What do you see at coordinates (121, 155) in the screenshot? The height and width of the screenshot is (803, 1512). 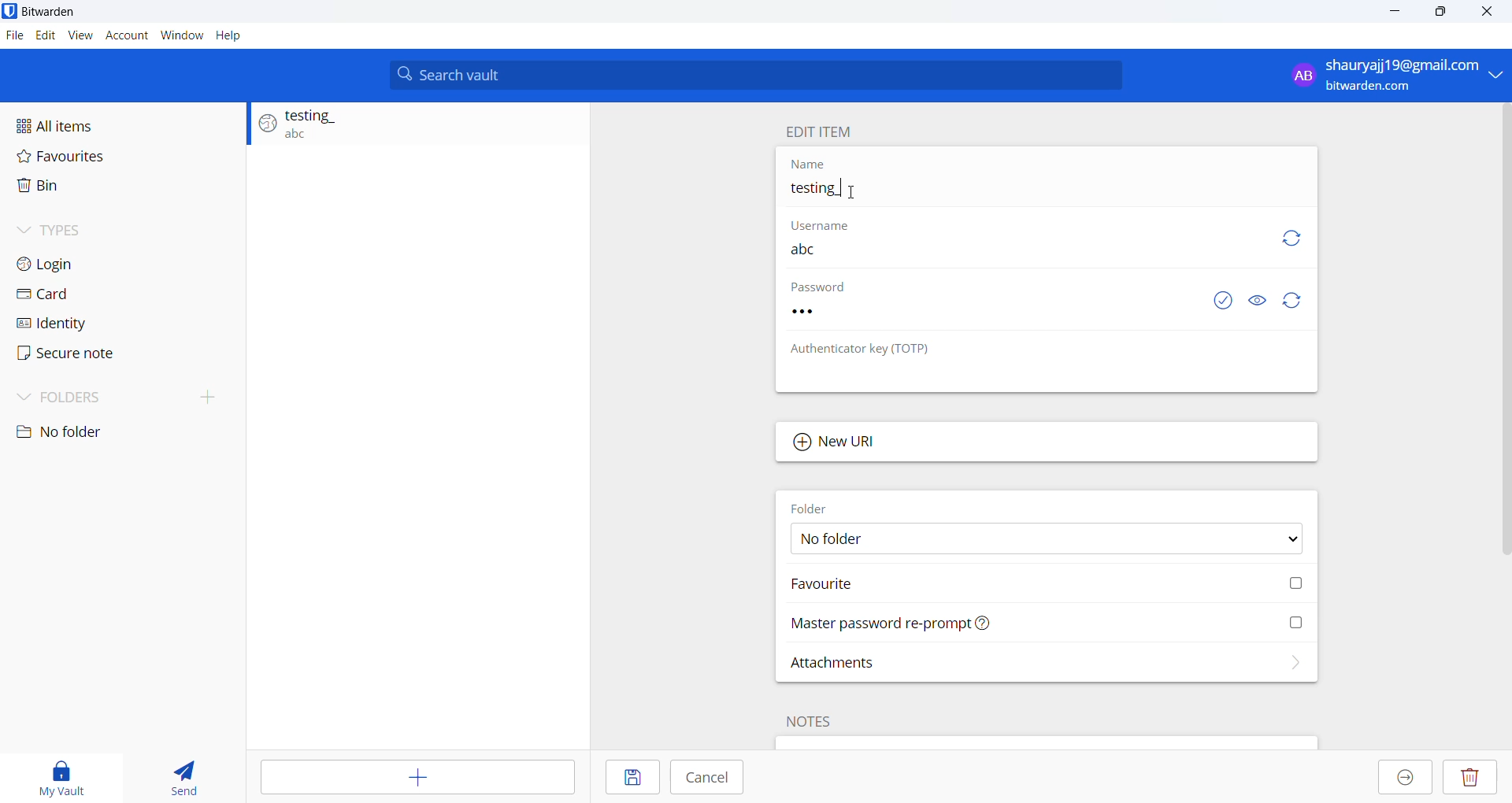 I see `Favourites` at bounding box center [121, 155].